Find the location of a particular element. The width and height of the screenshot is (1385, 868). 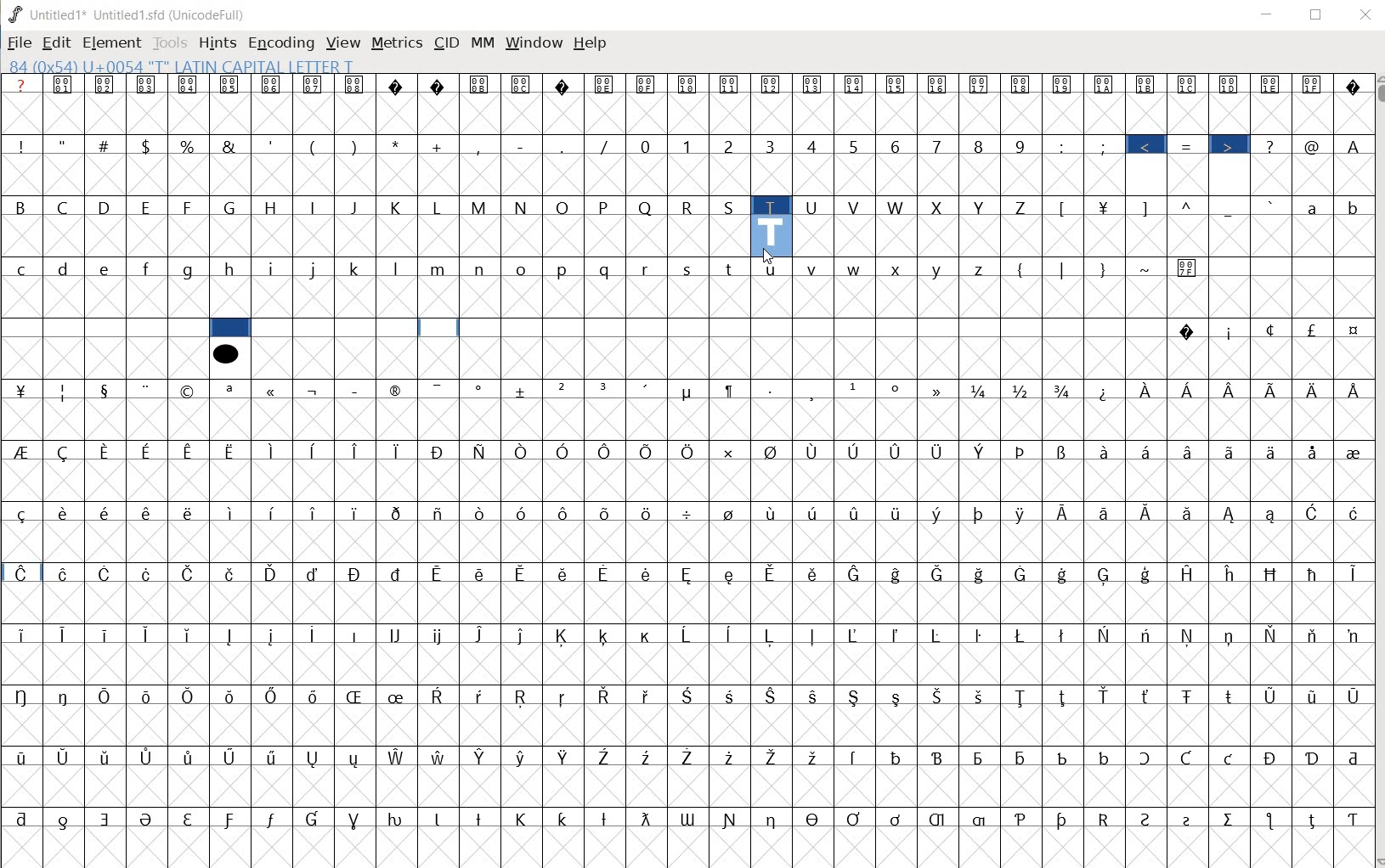

y is located at coordinates (938, 269).